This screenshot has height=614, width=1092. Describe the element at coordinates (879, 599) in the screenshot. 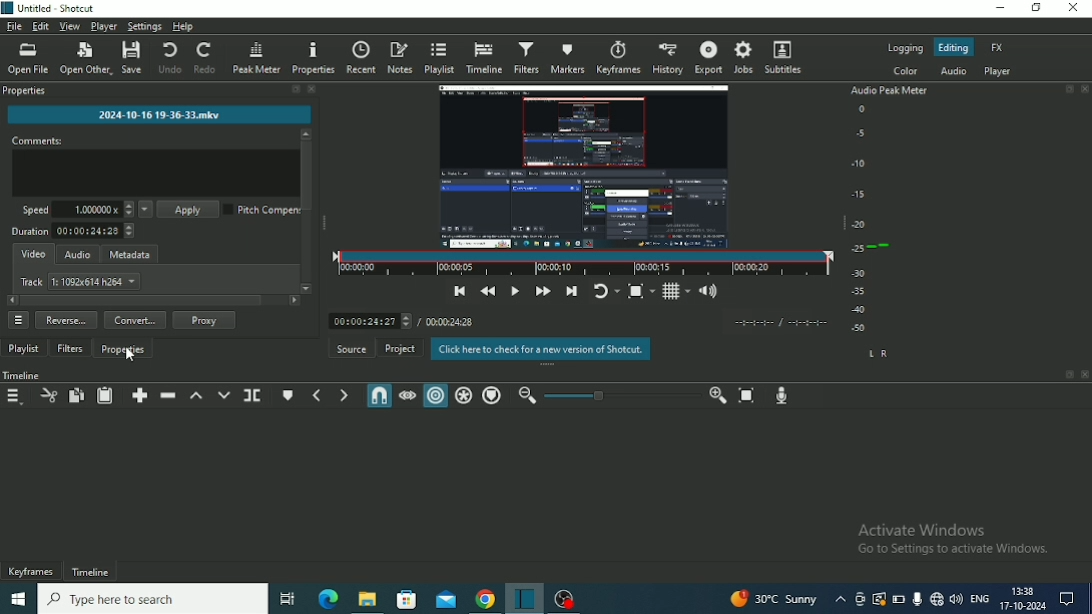

I see `Warning` at that location.